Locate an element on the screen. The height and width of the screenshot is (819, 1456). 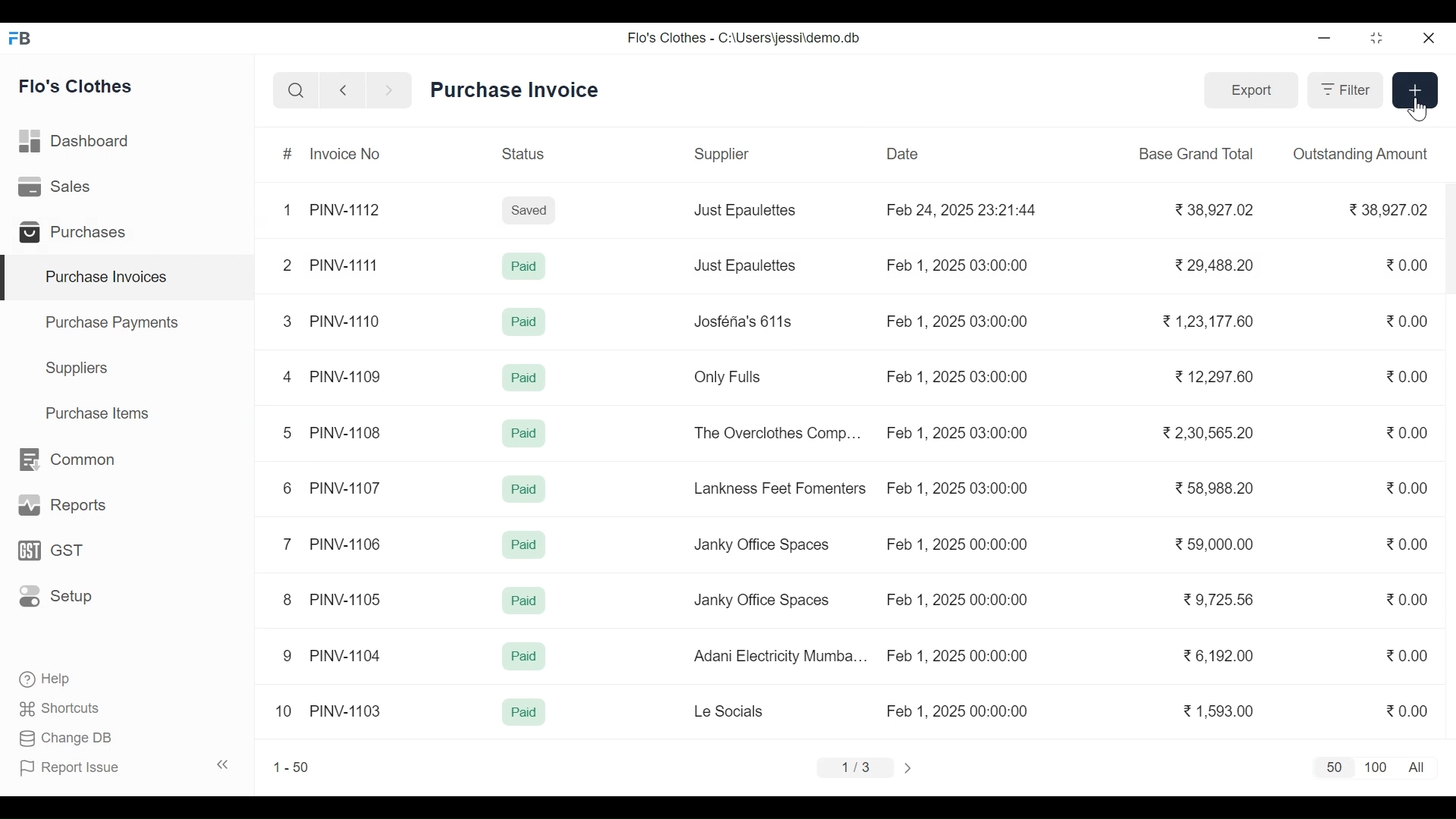
Just Epaulettes is located at coordinates (746, 265).